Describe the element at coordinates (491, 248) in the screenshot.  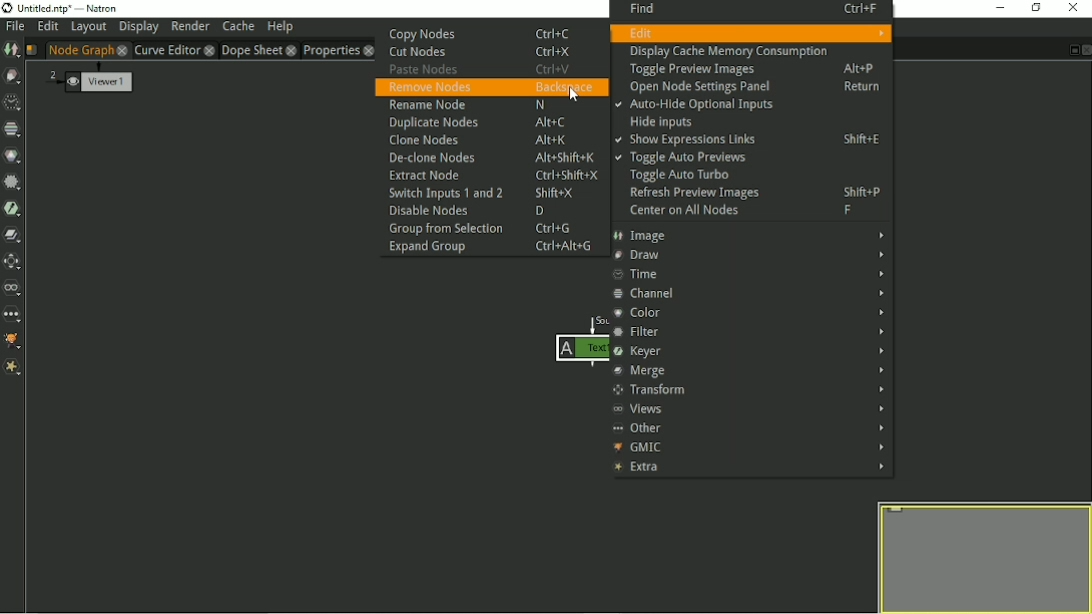
I see `Expand Group` at that location.